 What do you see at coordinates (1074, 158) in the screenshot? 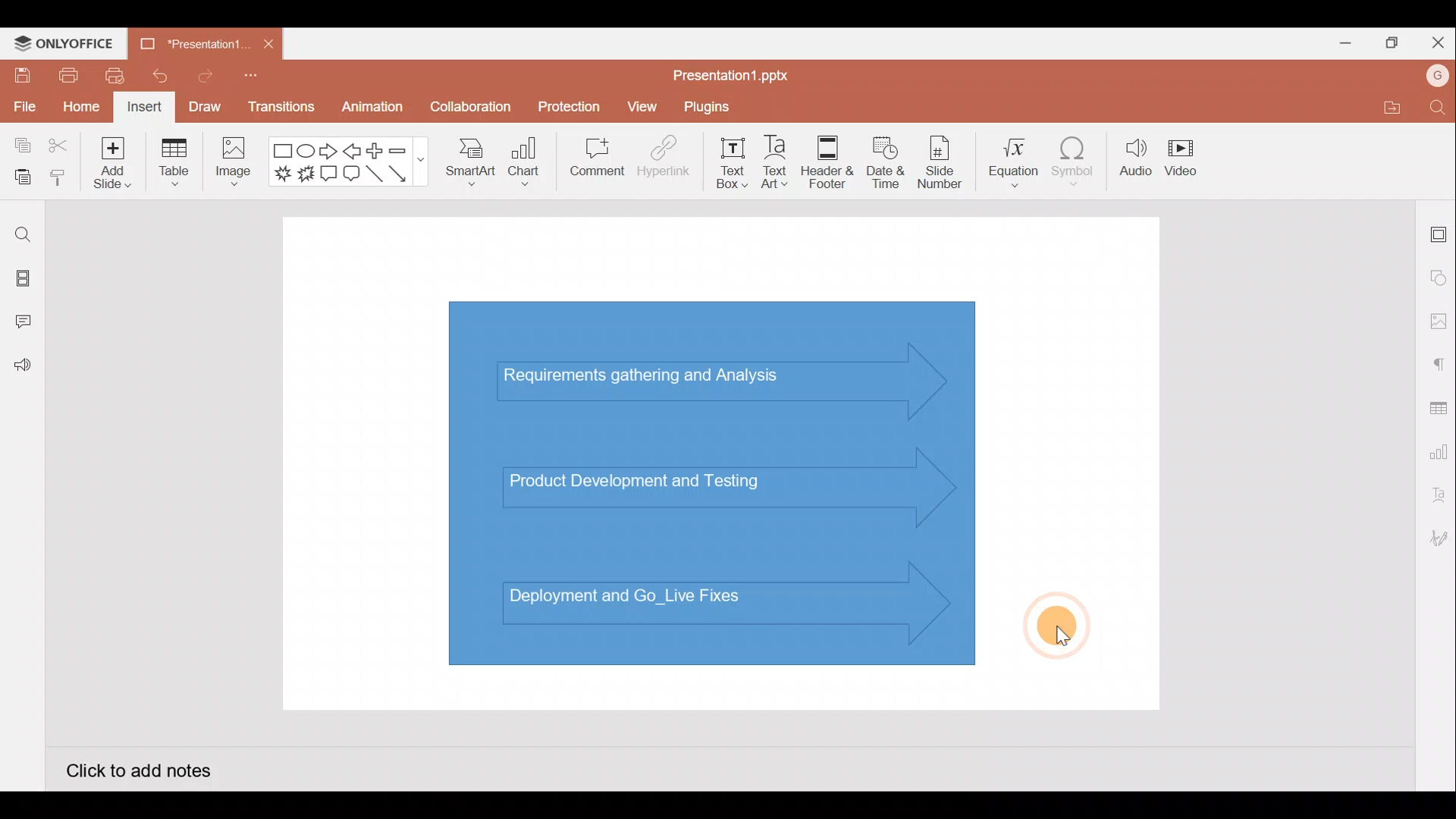
I see `Symbol` at bounding box center [1074, 158].